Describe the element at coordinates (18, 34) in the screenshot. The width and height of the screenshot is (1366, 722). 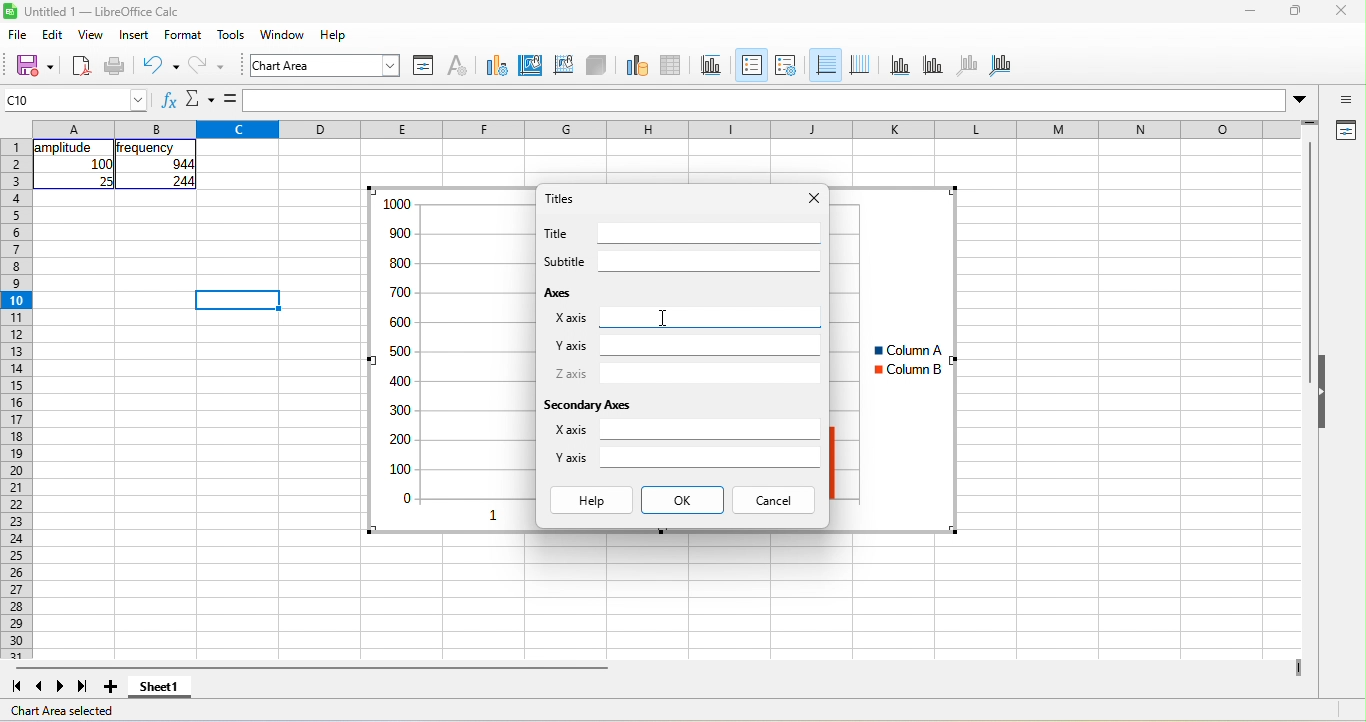
I see `file` at that location.